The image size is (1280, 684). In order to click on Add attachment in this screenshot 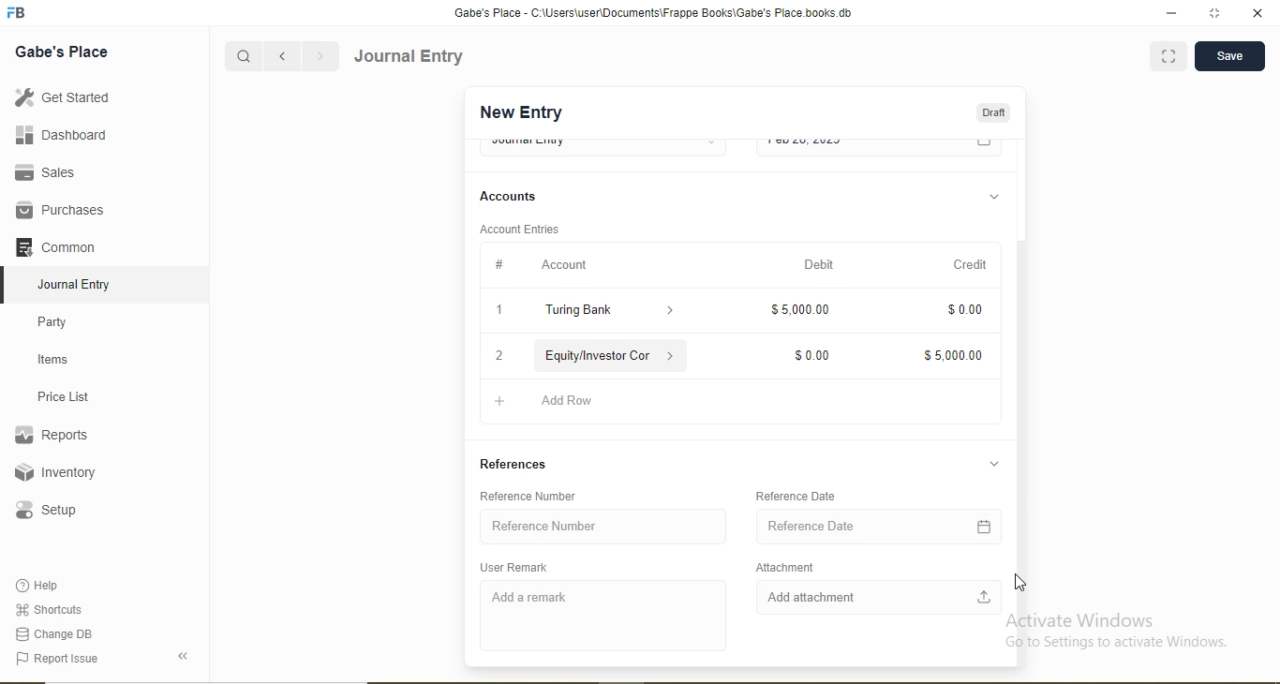, I will do `click(811, 597)`.